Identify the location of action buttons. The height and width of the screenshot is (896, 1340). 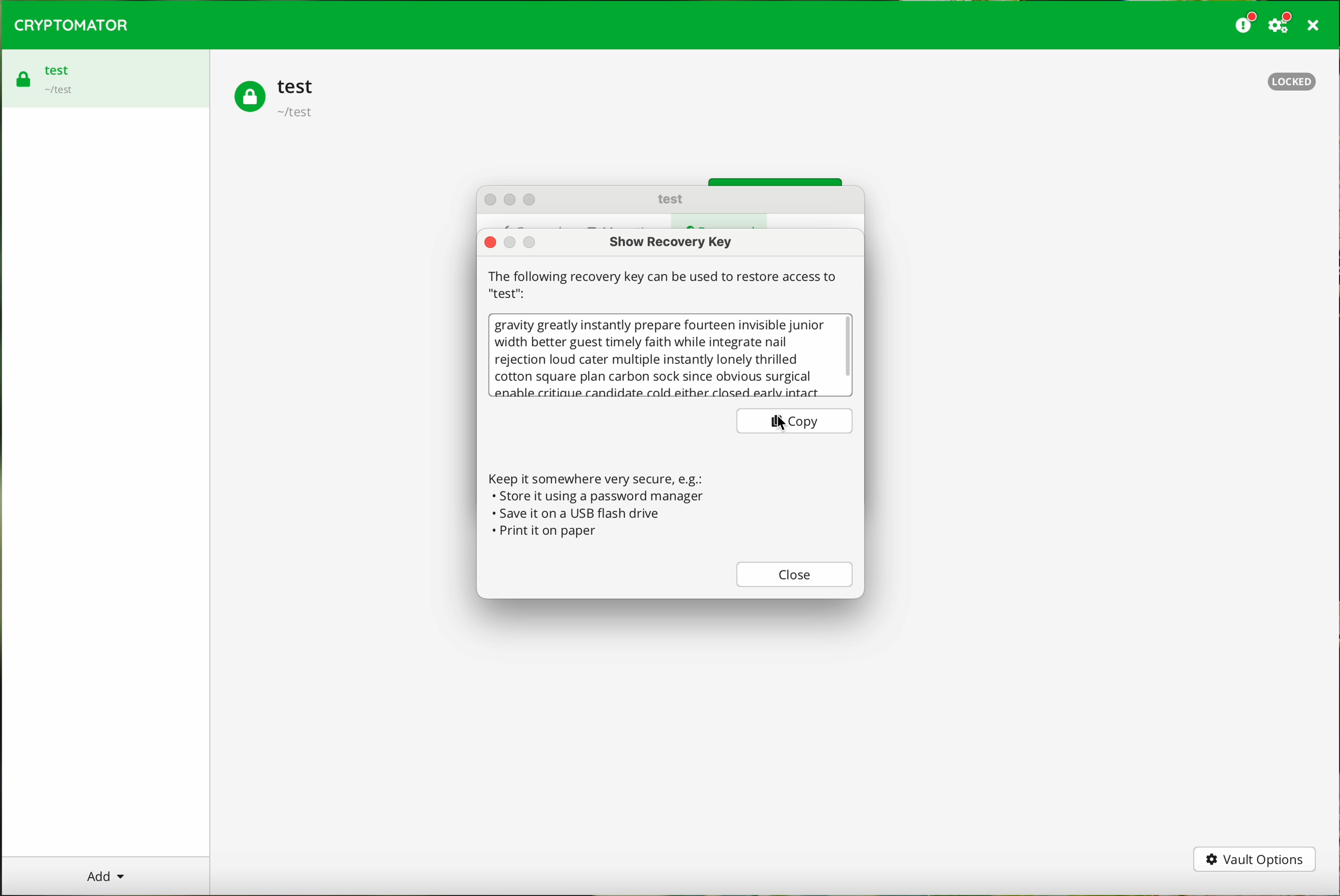
(517, 198).